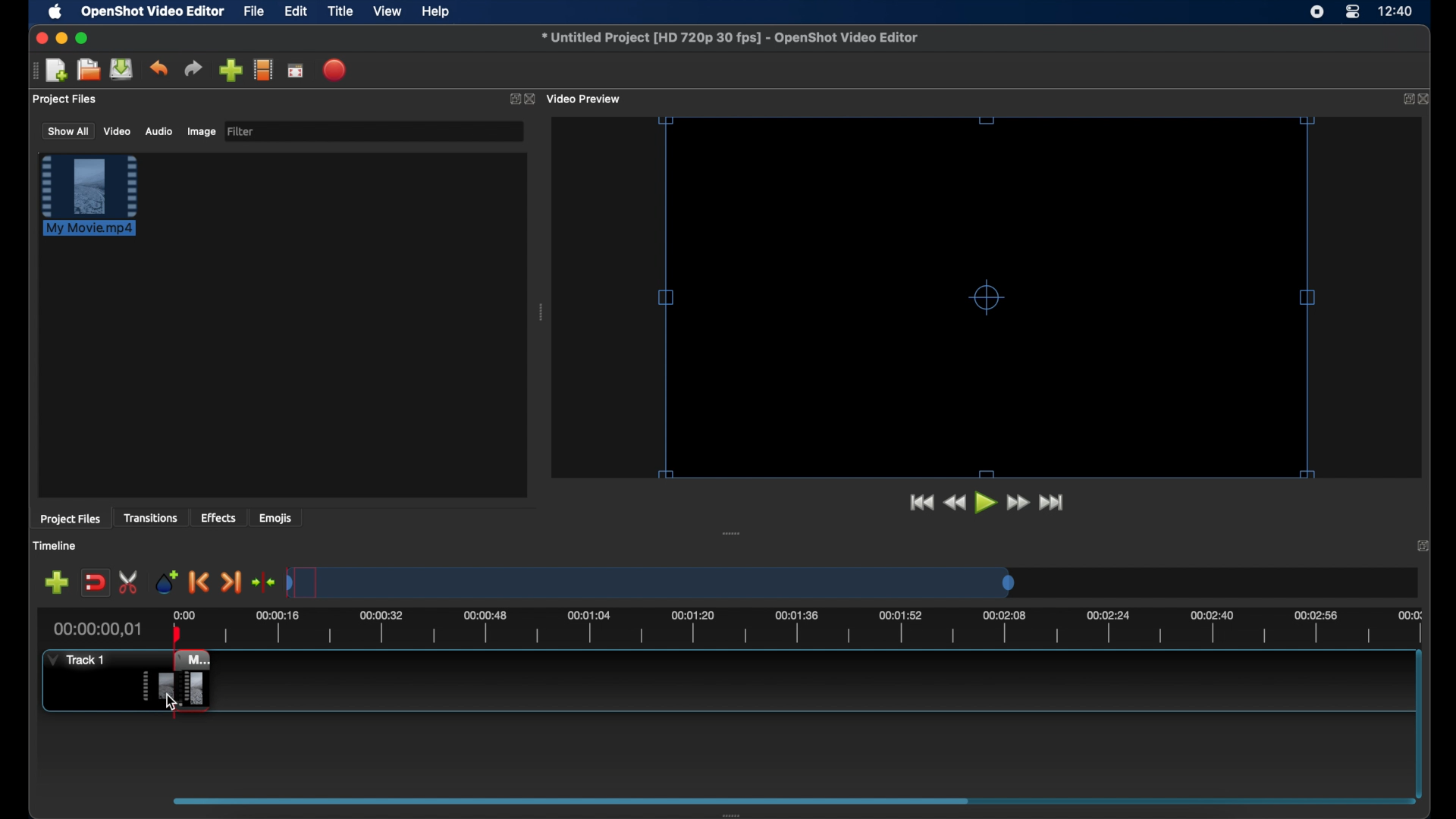  Describe the element at coordinates (816, 629) in the screenshot. I see `timeline scale` at that location.